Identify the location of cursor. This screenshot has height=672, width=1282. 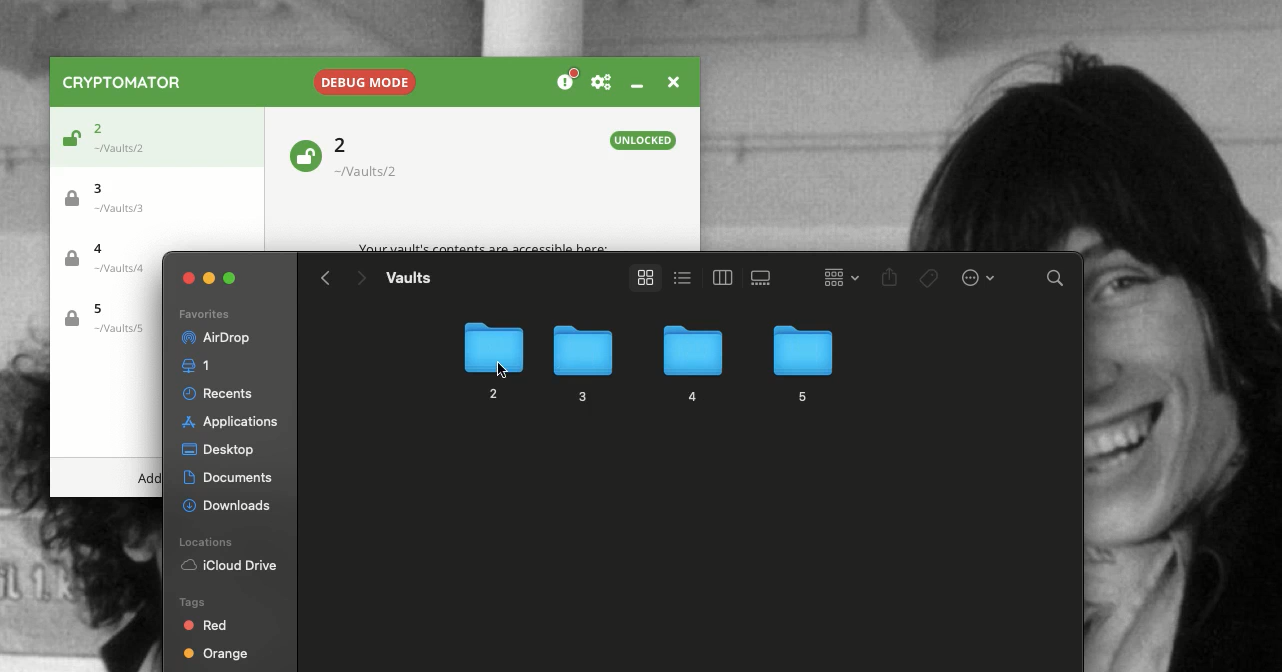
(502, 366).